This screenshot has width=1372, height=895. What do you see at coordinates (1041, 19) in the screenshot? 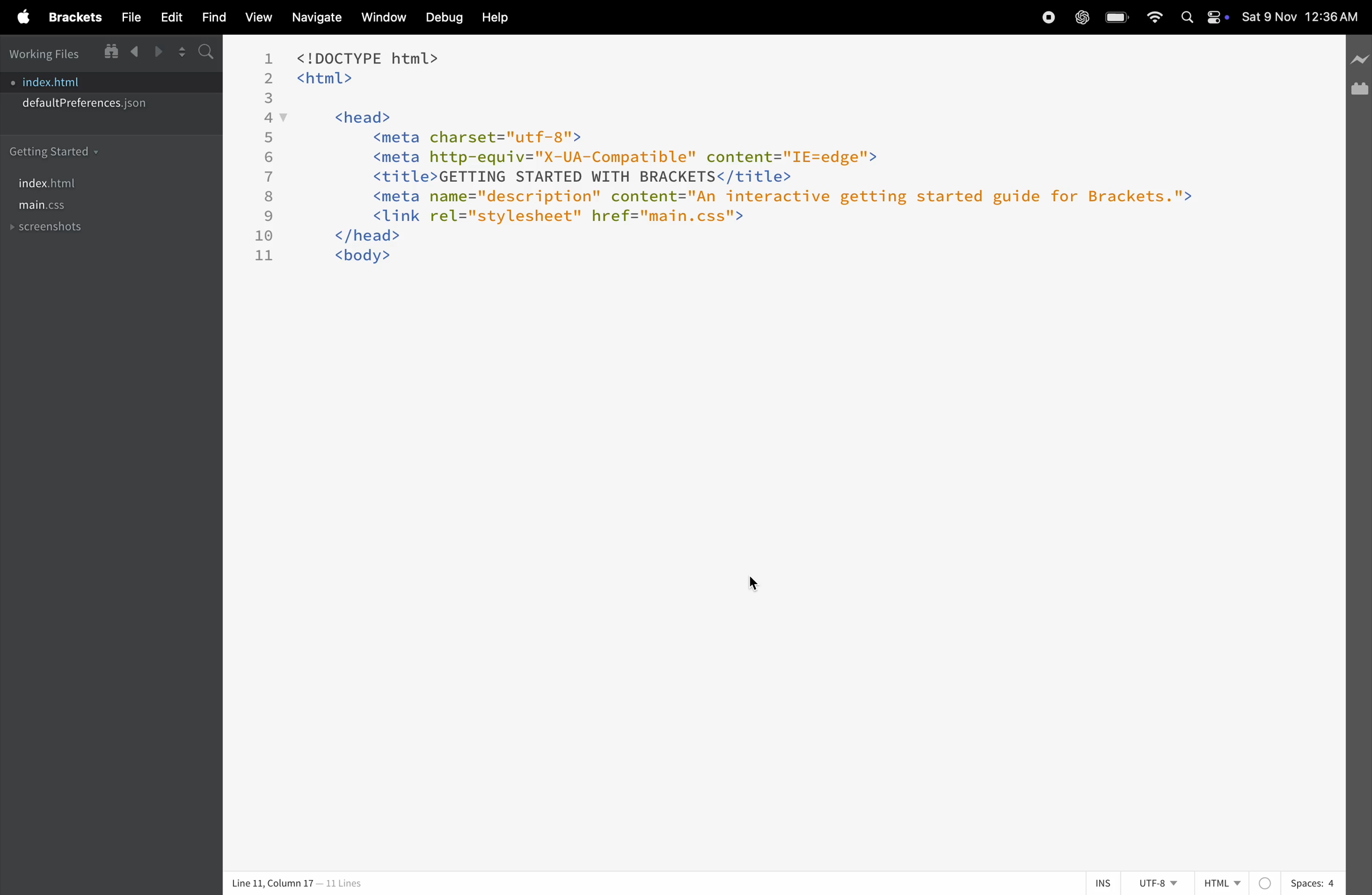
I see `record` at bounding box center [1041, 19].